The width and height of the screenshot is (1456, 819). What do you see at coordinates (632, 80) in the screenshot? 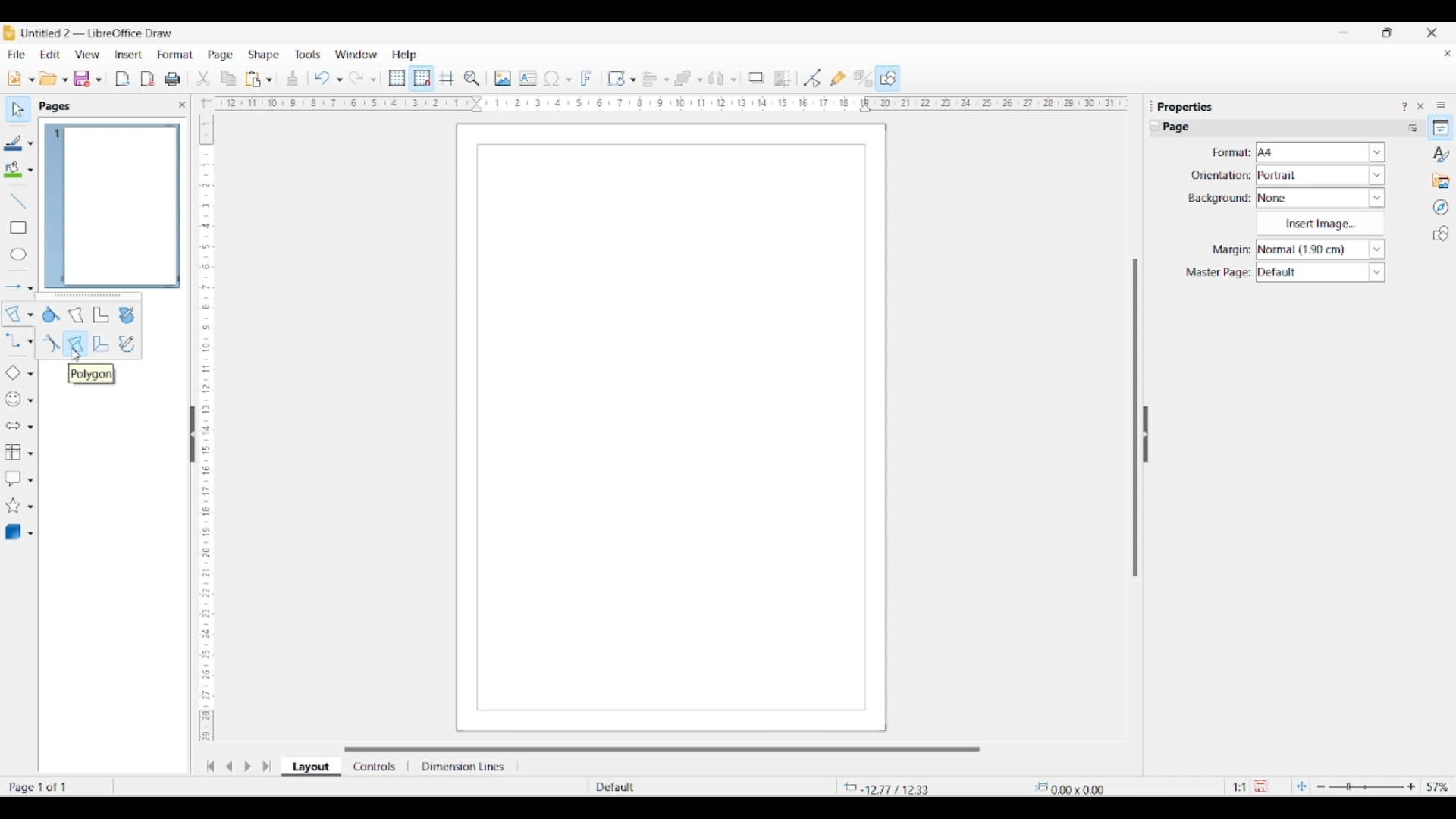
I see `Transformations option` at bounding box center [632, 80].